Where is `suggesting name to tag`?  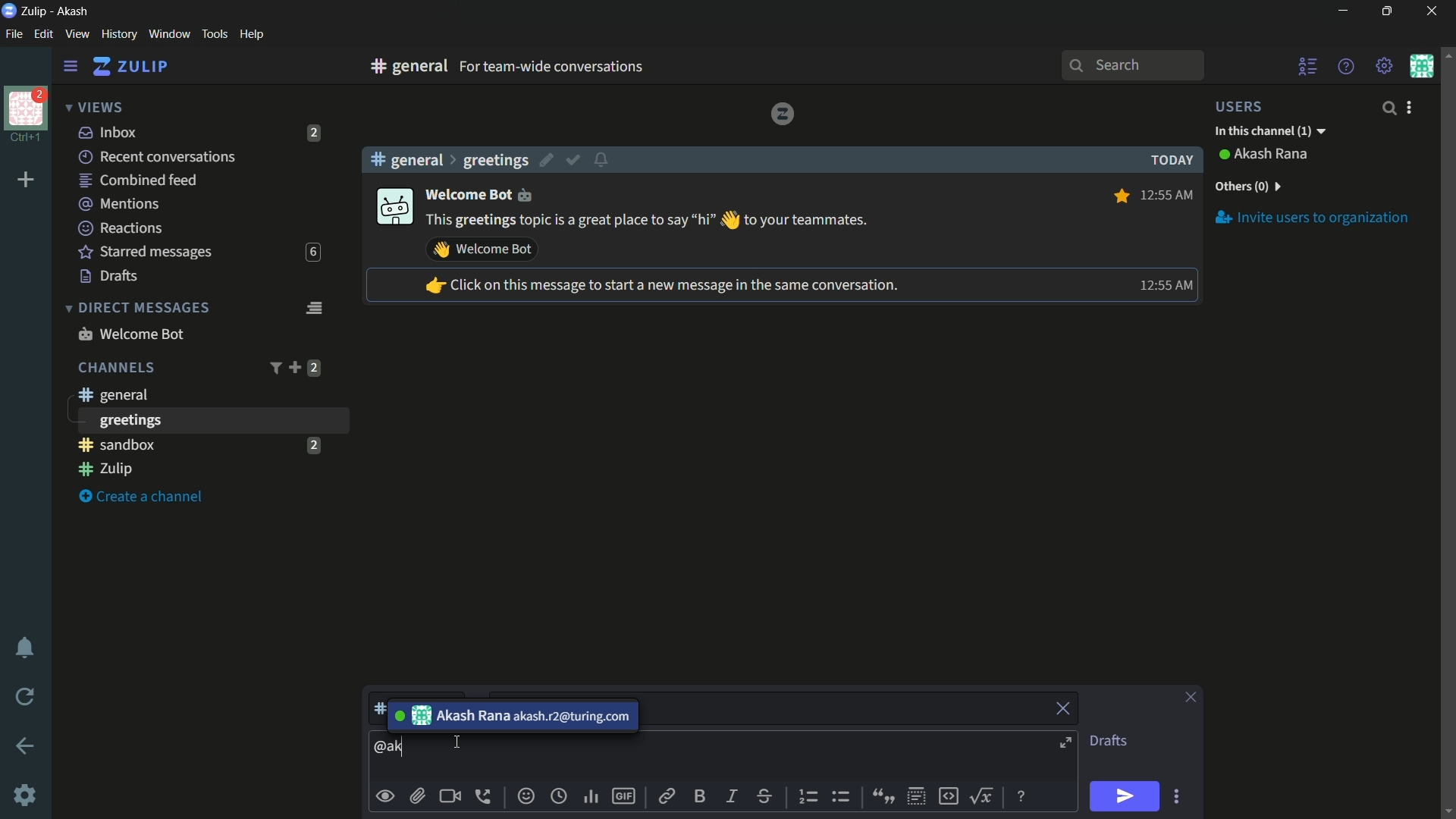
suggesting name to tag is located at coordinates (511, 715).